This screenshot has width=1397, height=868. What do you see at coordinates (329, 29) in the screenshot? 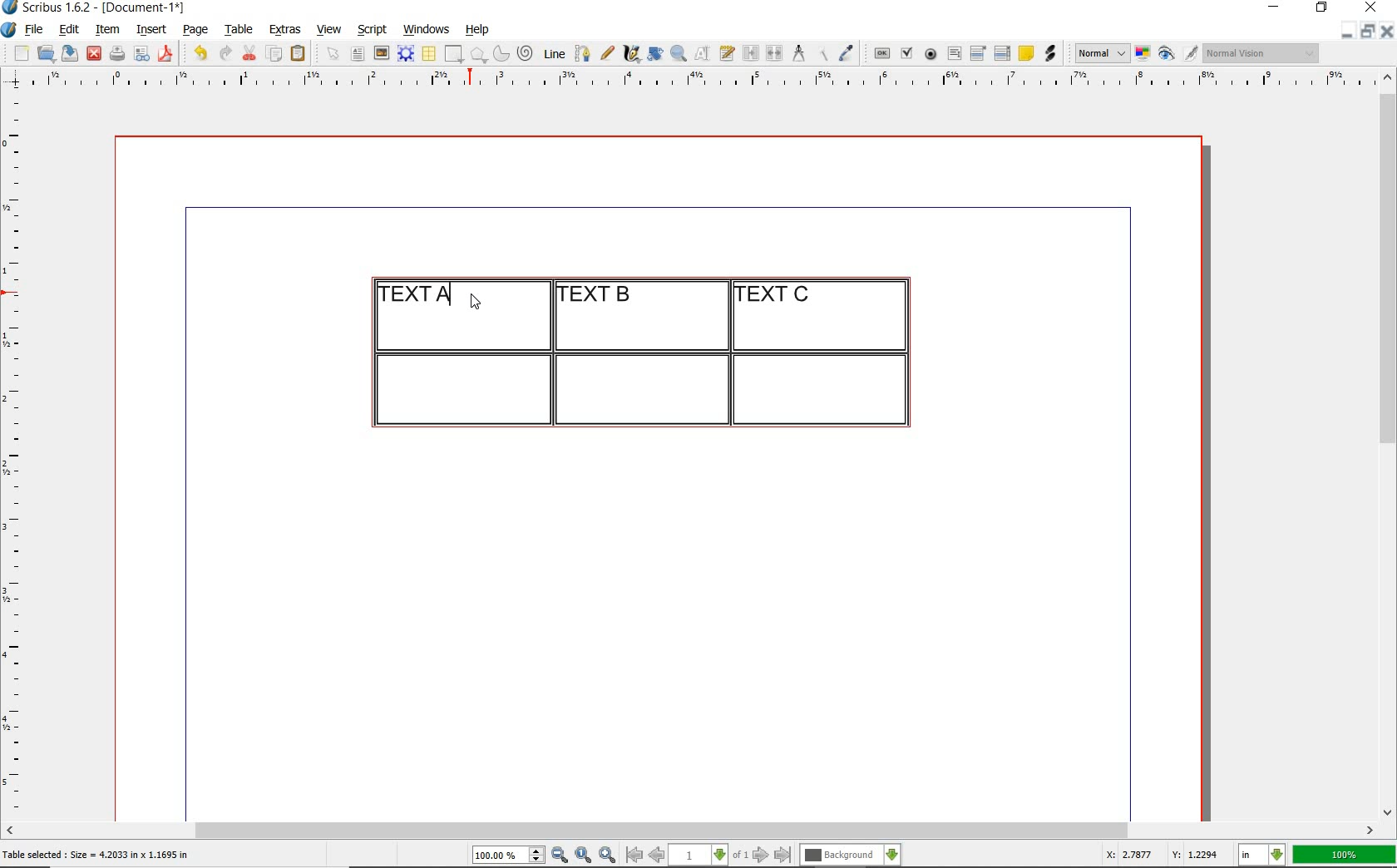
I see `view` at bounding box center [329, 29].